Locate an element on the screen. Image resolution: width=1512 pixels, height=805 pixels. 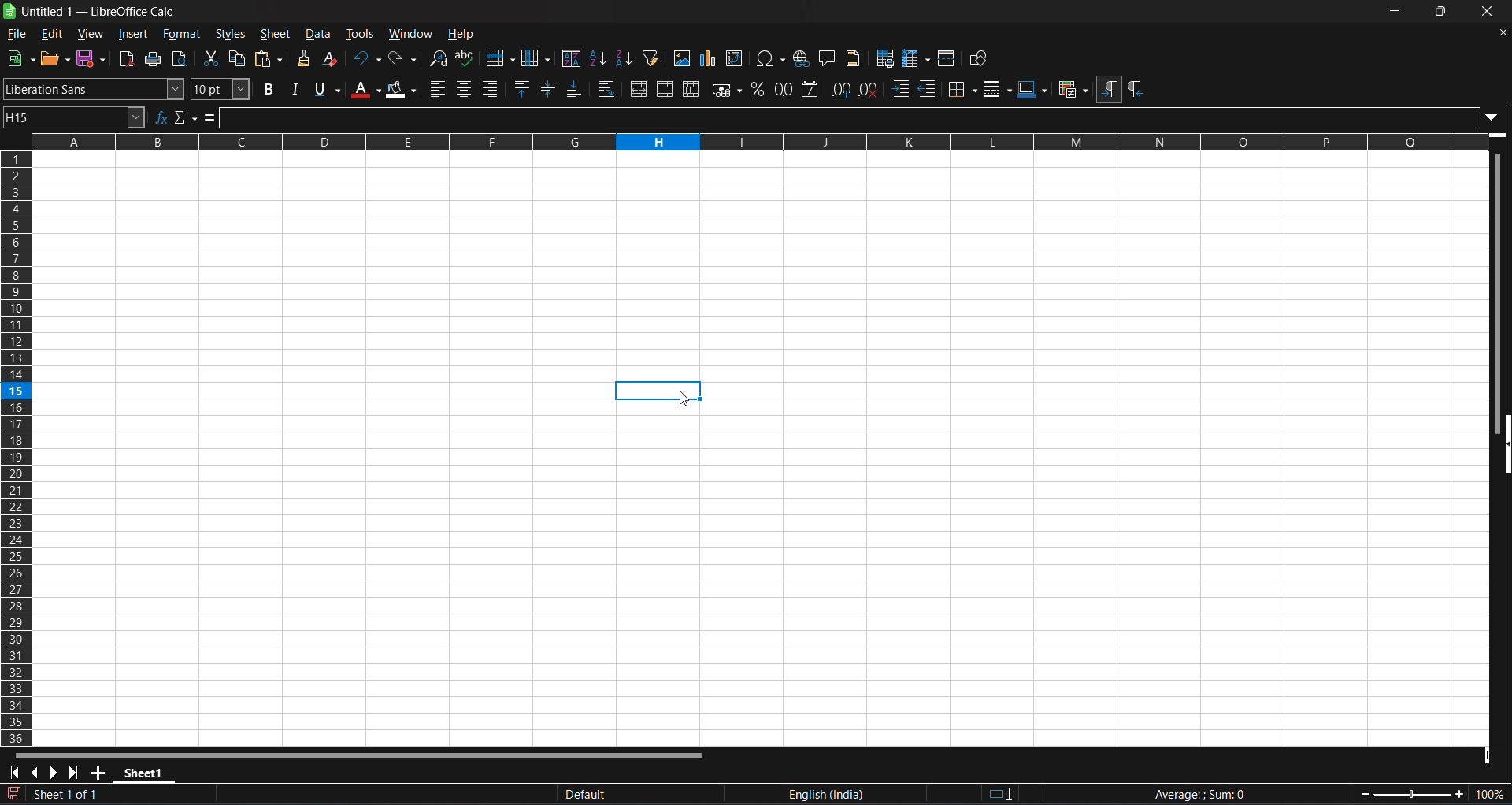
redo is located at coordinates (404, 60).